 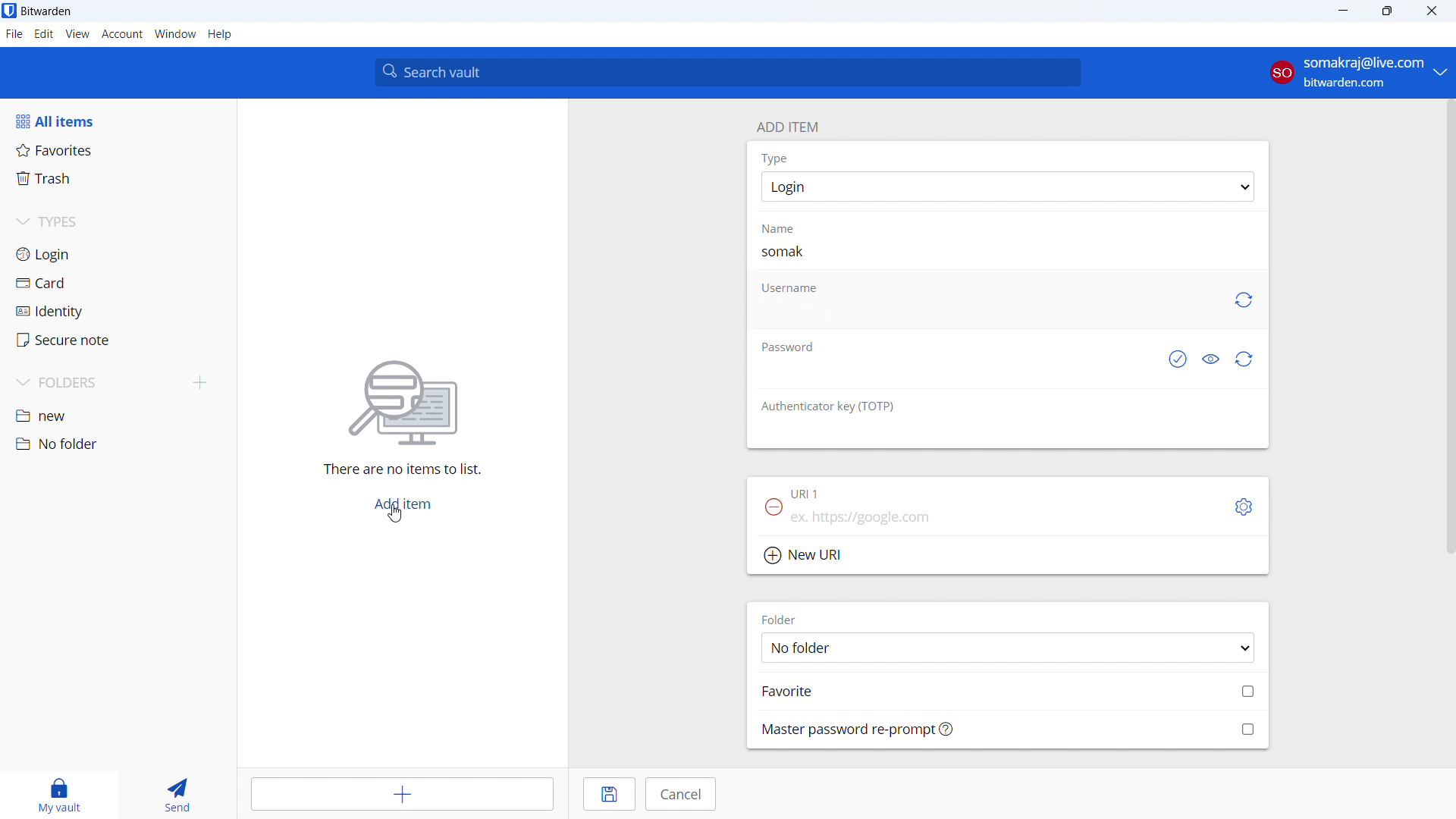 What do you see at coordinates (789, 288) in the screenshot?
I see `Username` at bounding box center [789, 288].